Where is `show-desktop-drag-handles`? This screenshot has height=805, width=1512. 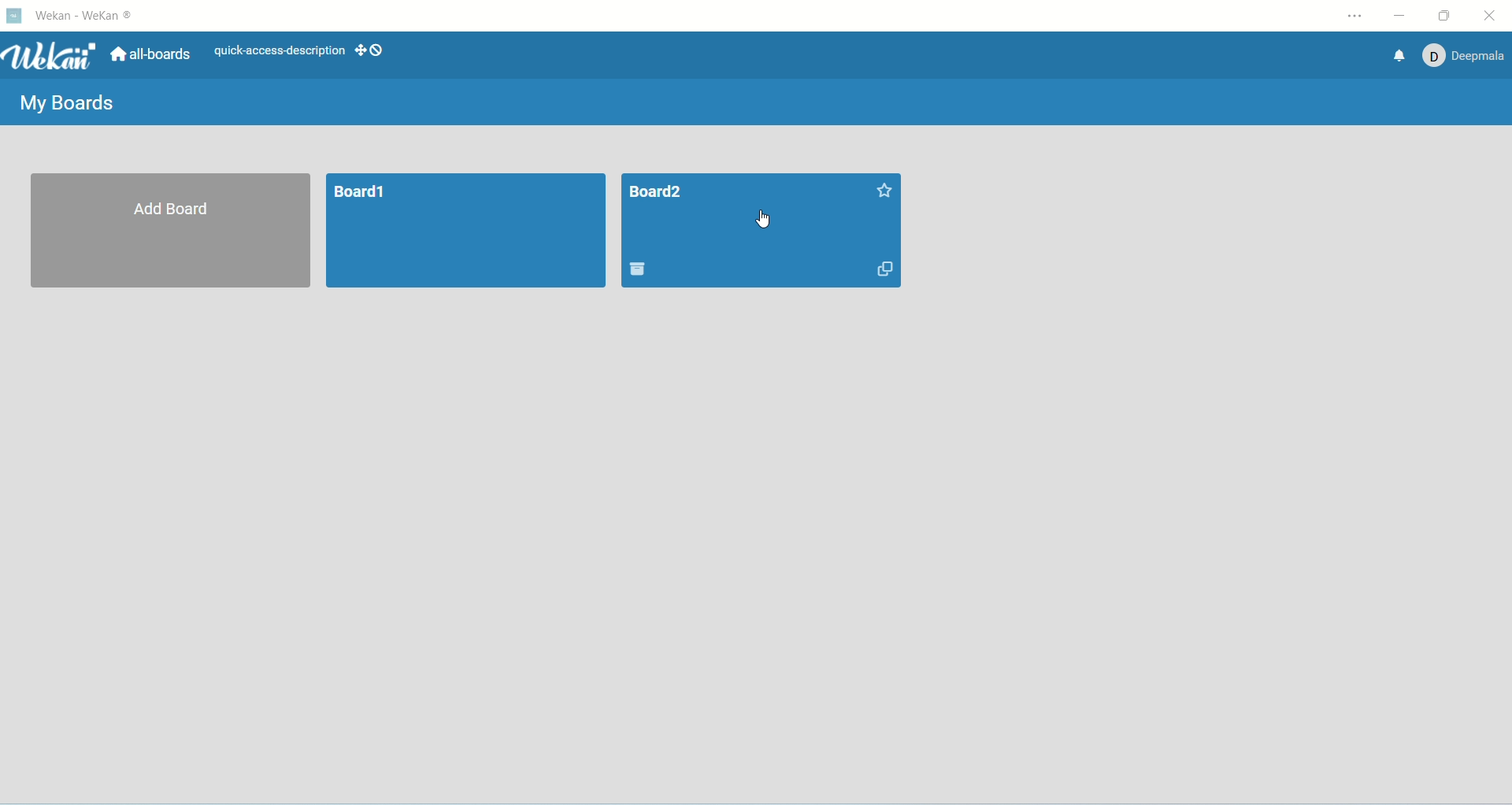
show-desktop-drag-handles is located at coordinates (372, 51).